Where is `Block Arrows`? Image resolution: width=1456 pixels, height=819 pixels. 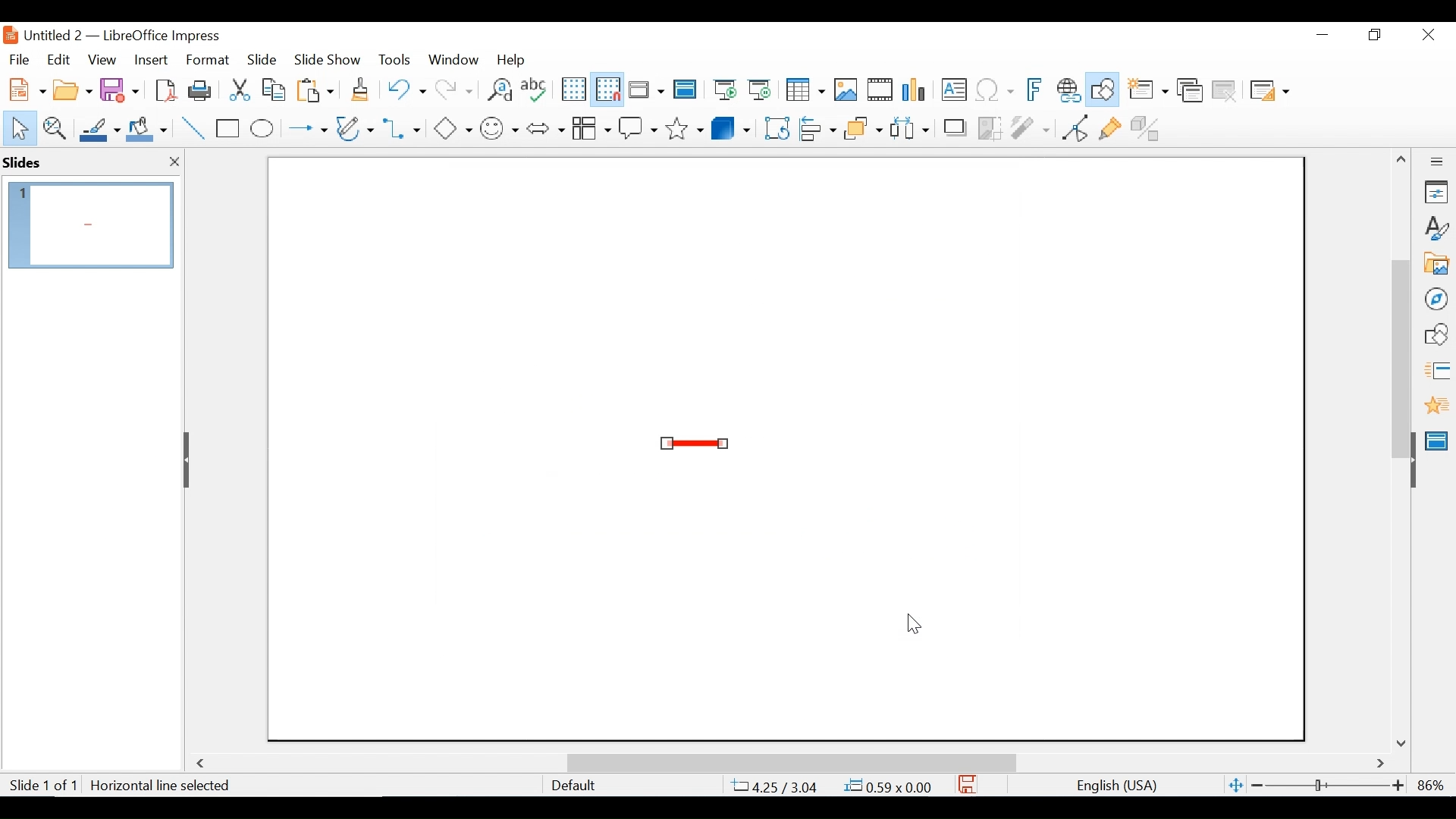 Block Arrows is located at coordinates (544, 127).